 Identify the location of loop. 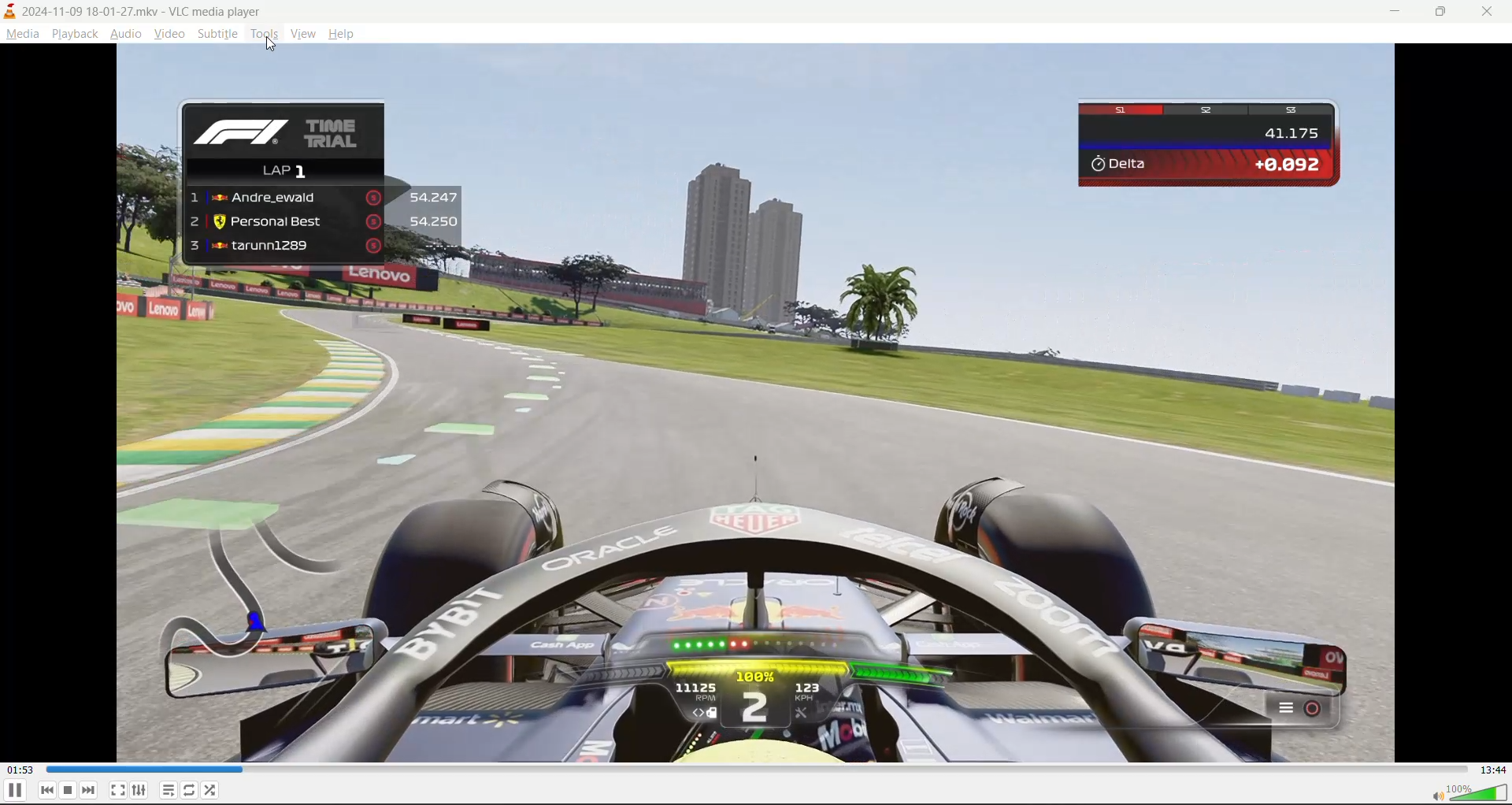
(187, 792).